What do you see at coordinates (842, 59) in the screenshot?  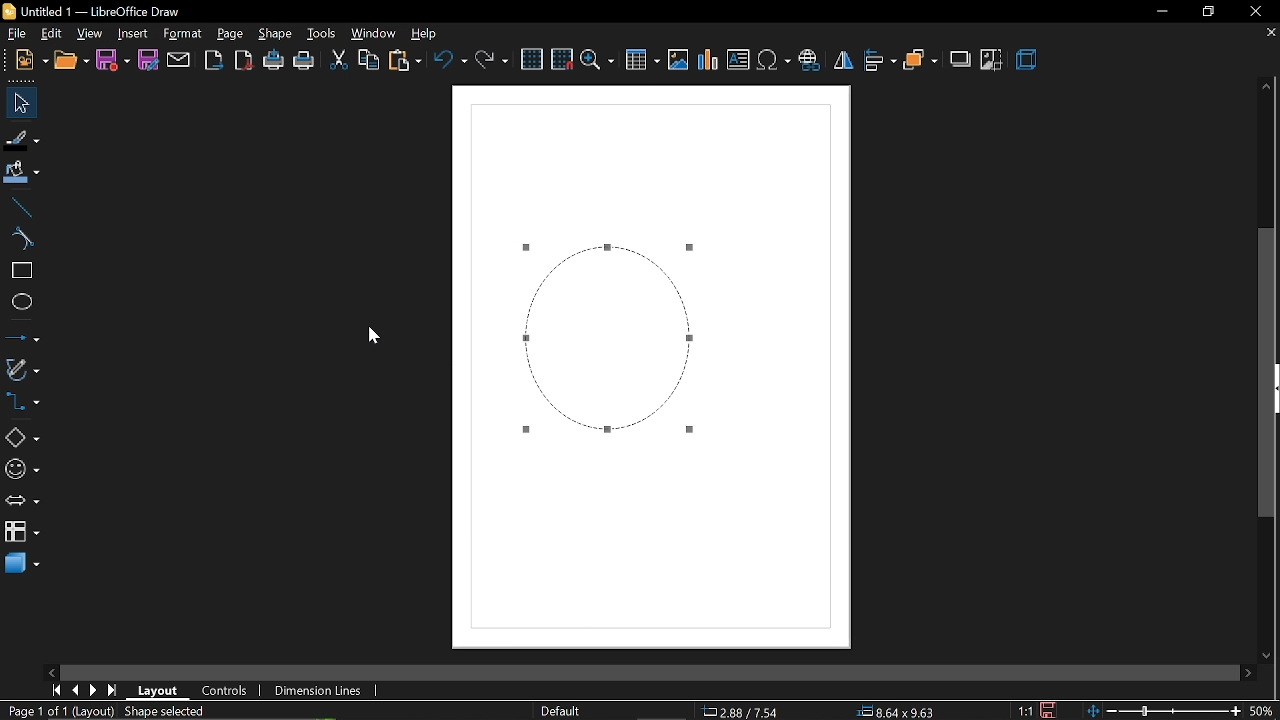 I see `flip` at bounding box center [842, 59].